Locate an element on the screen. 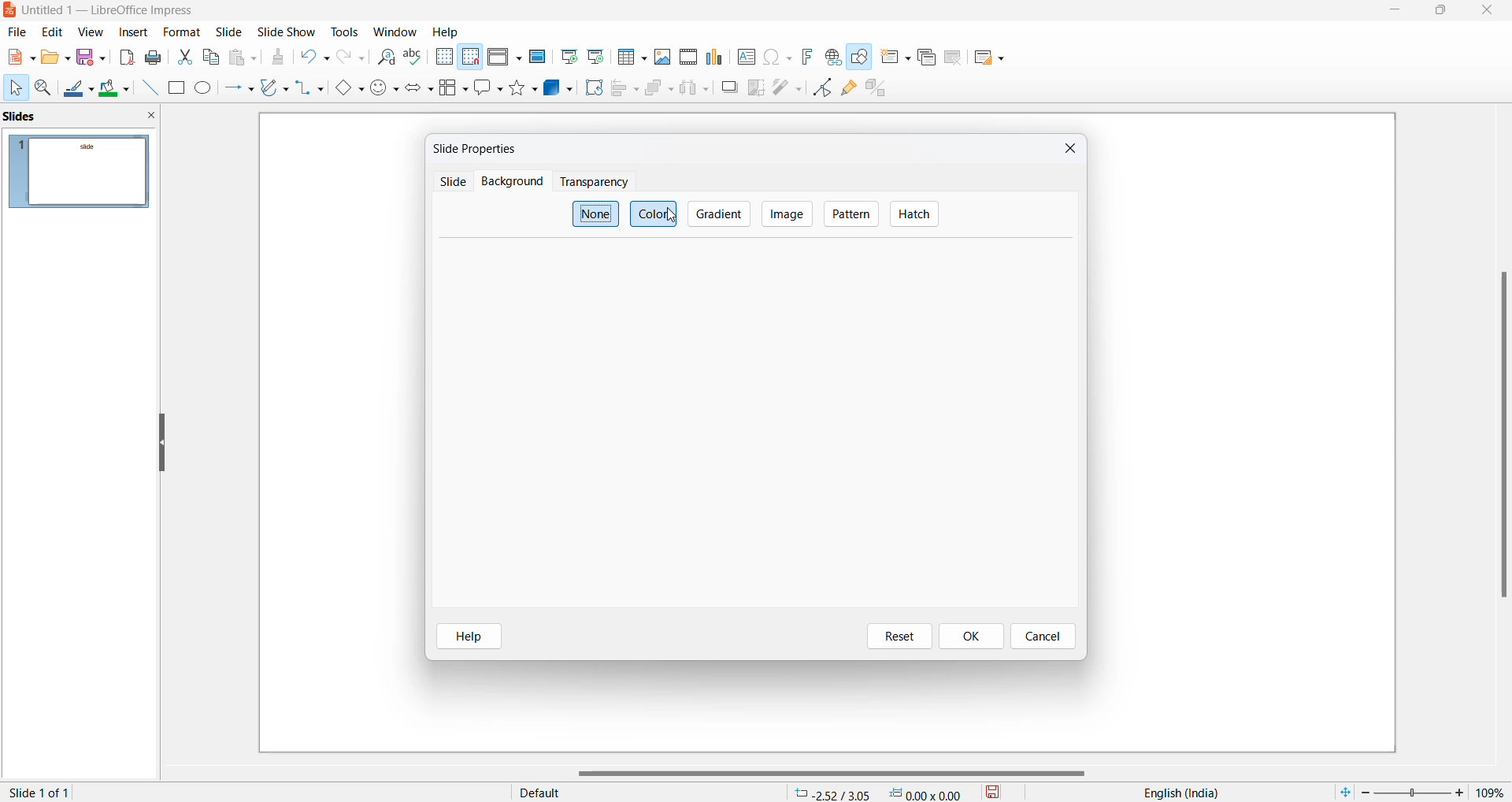 The image size is (1512, 802). none is located at coordinates (595, 214).